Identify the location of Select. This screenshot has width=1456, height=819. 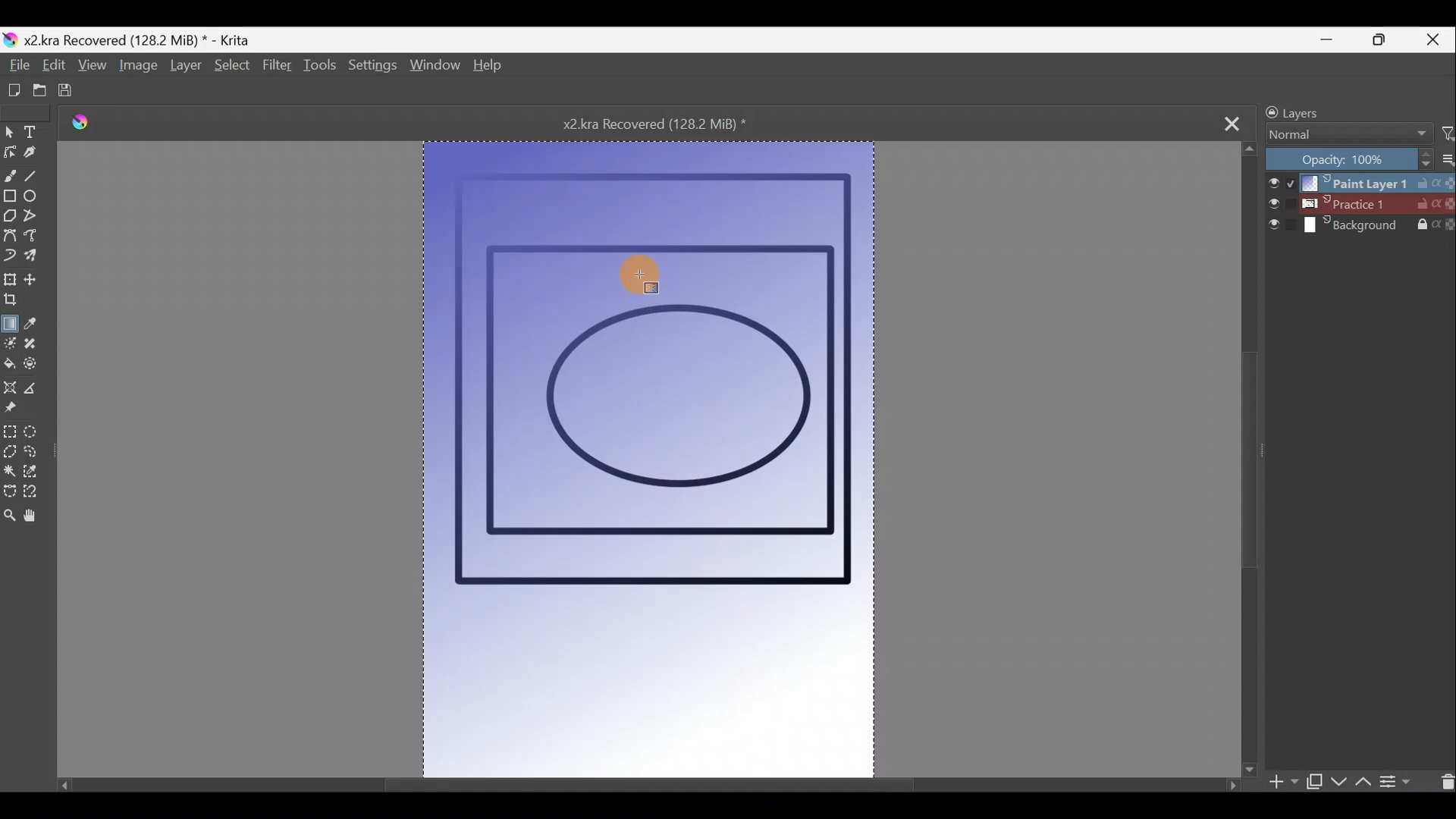
(230, 66).